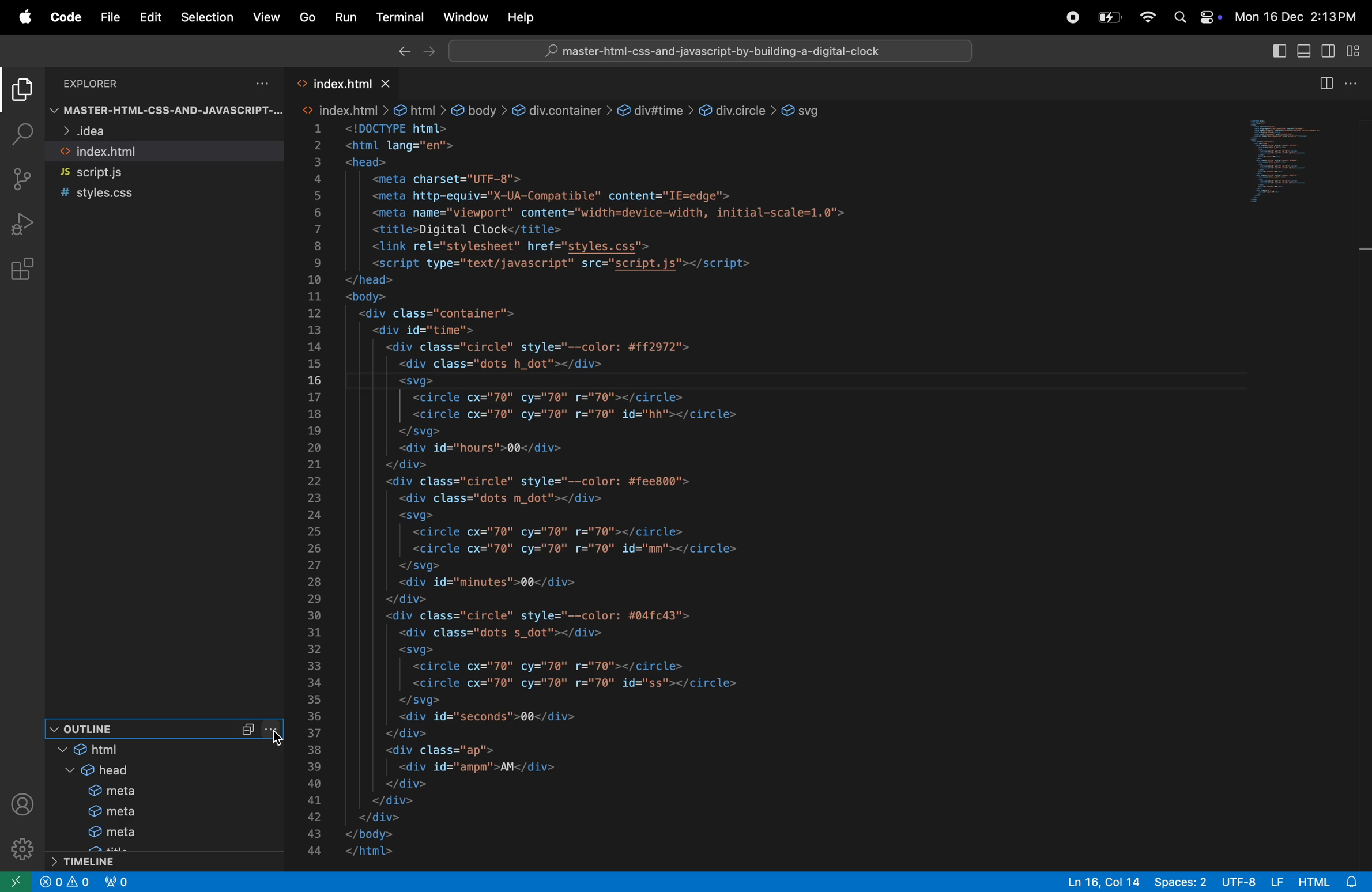 The image size is (1372, 892). What do you see at coordinates (63, 18) in the screenshot?
I see `code` at bounding box center [63, 18].